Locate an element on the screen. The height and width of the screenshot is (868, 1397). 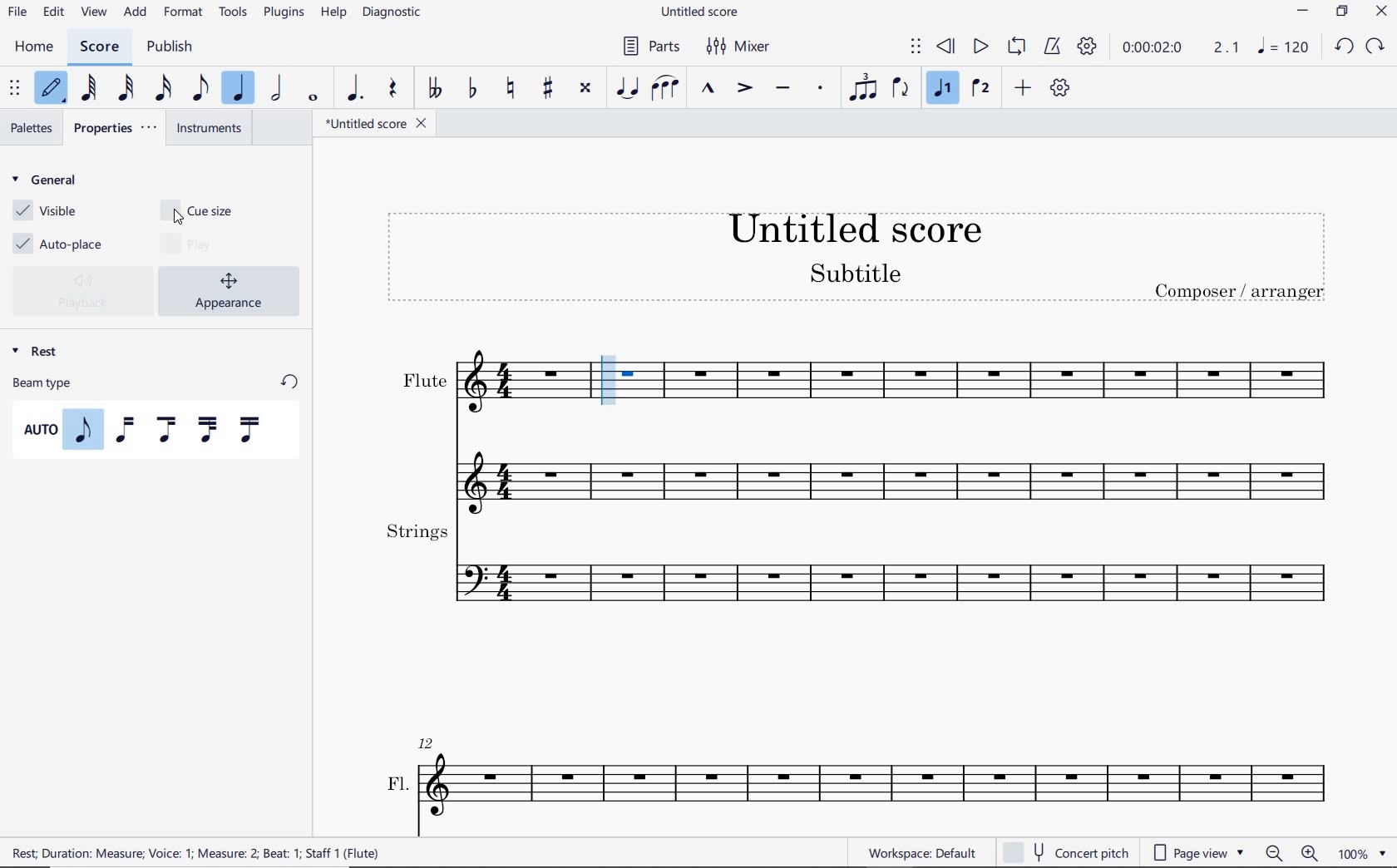
VISIBLE is located at coordinates (46, 211).